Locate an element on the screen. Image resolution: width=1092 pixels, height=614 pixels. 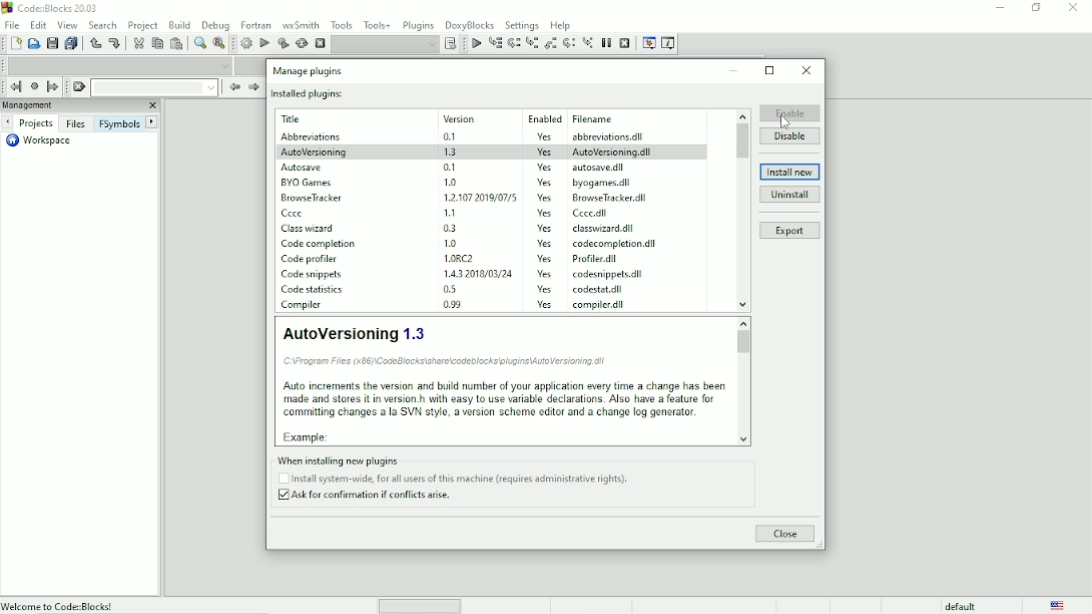
Cursor is located at coordinates (785, 122).